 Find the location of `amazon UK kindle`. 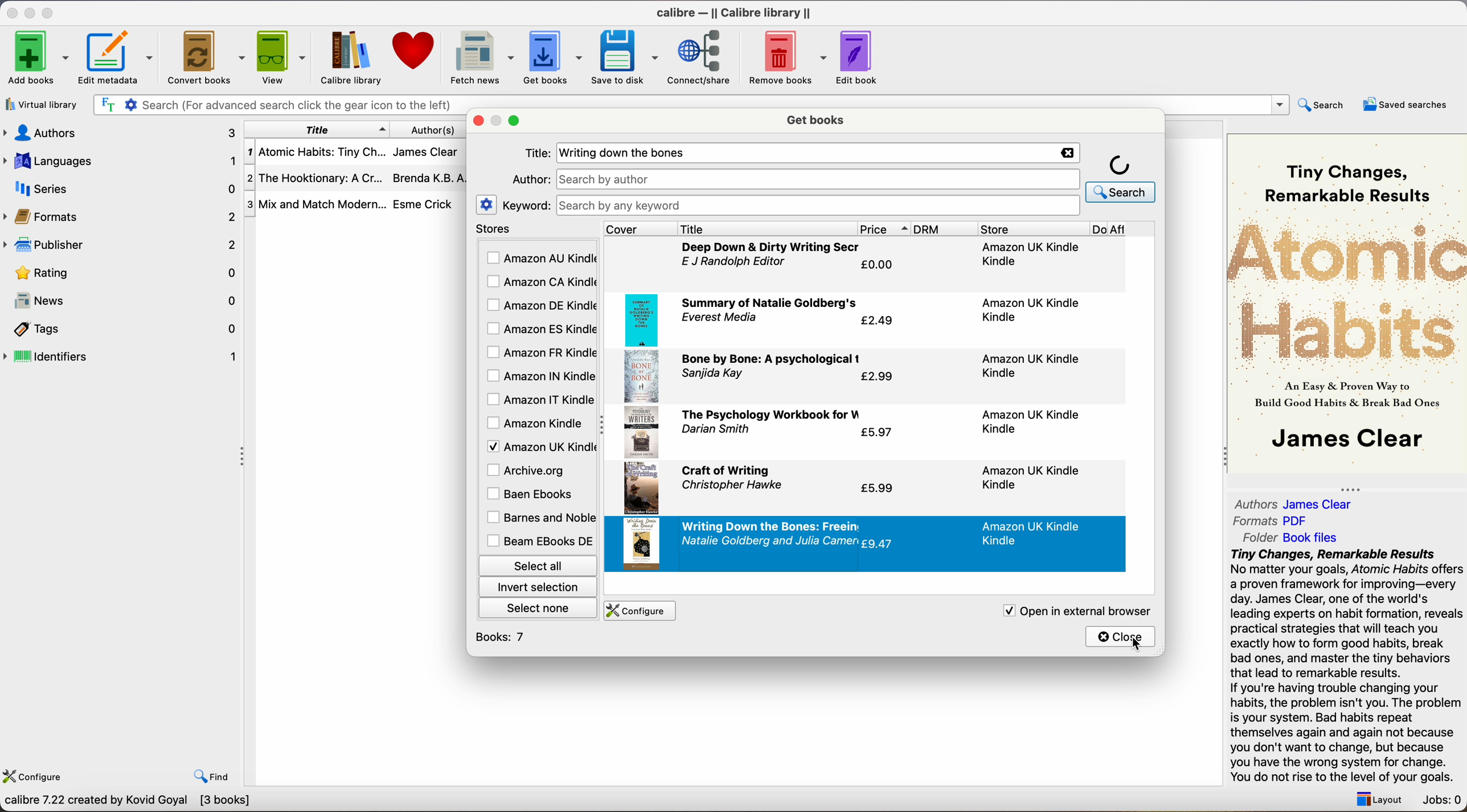

amazon UK kindle is located at coordinates (1029, 367).